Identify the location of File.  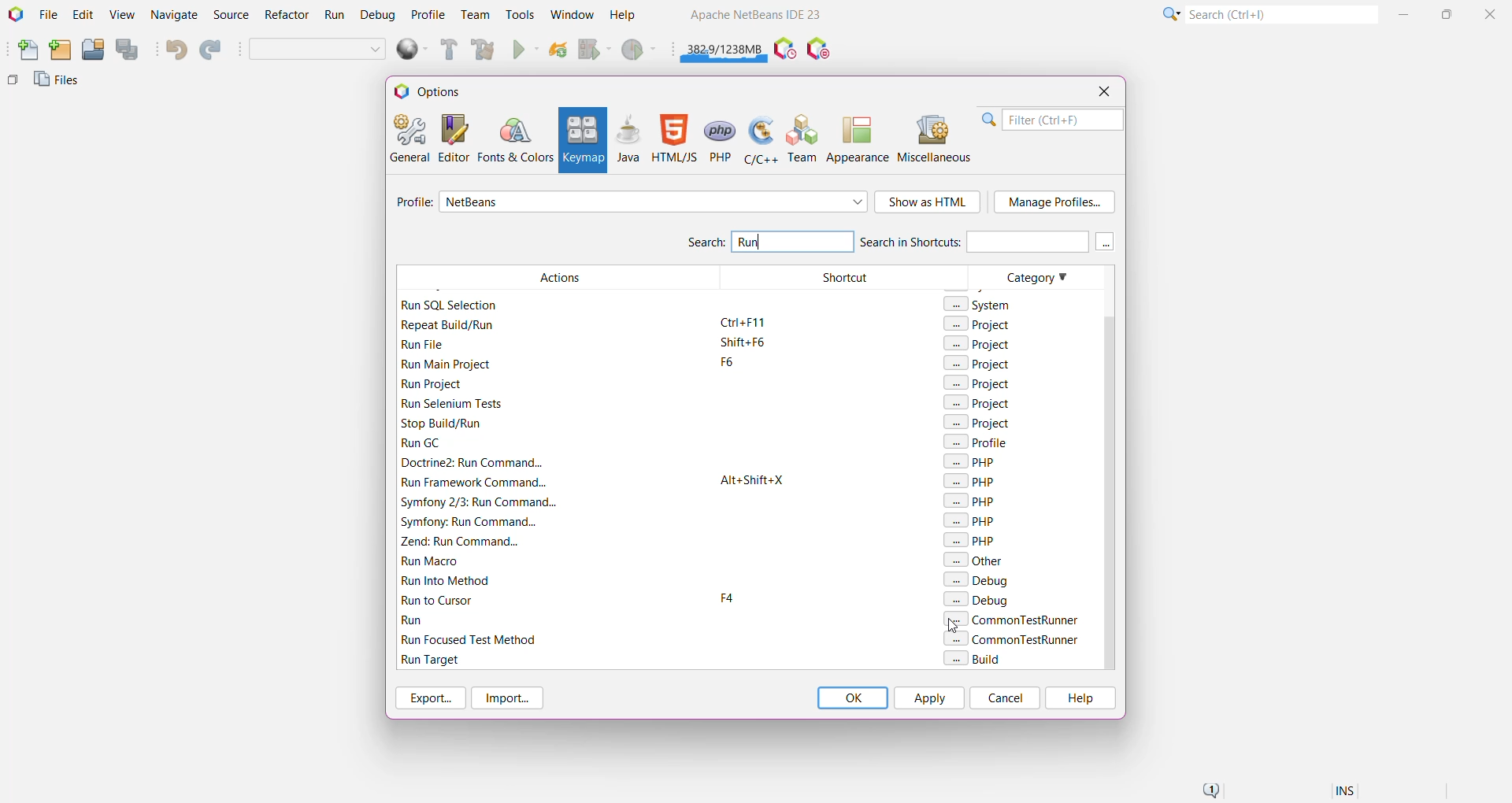
(48, 15).